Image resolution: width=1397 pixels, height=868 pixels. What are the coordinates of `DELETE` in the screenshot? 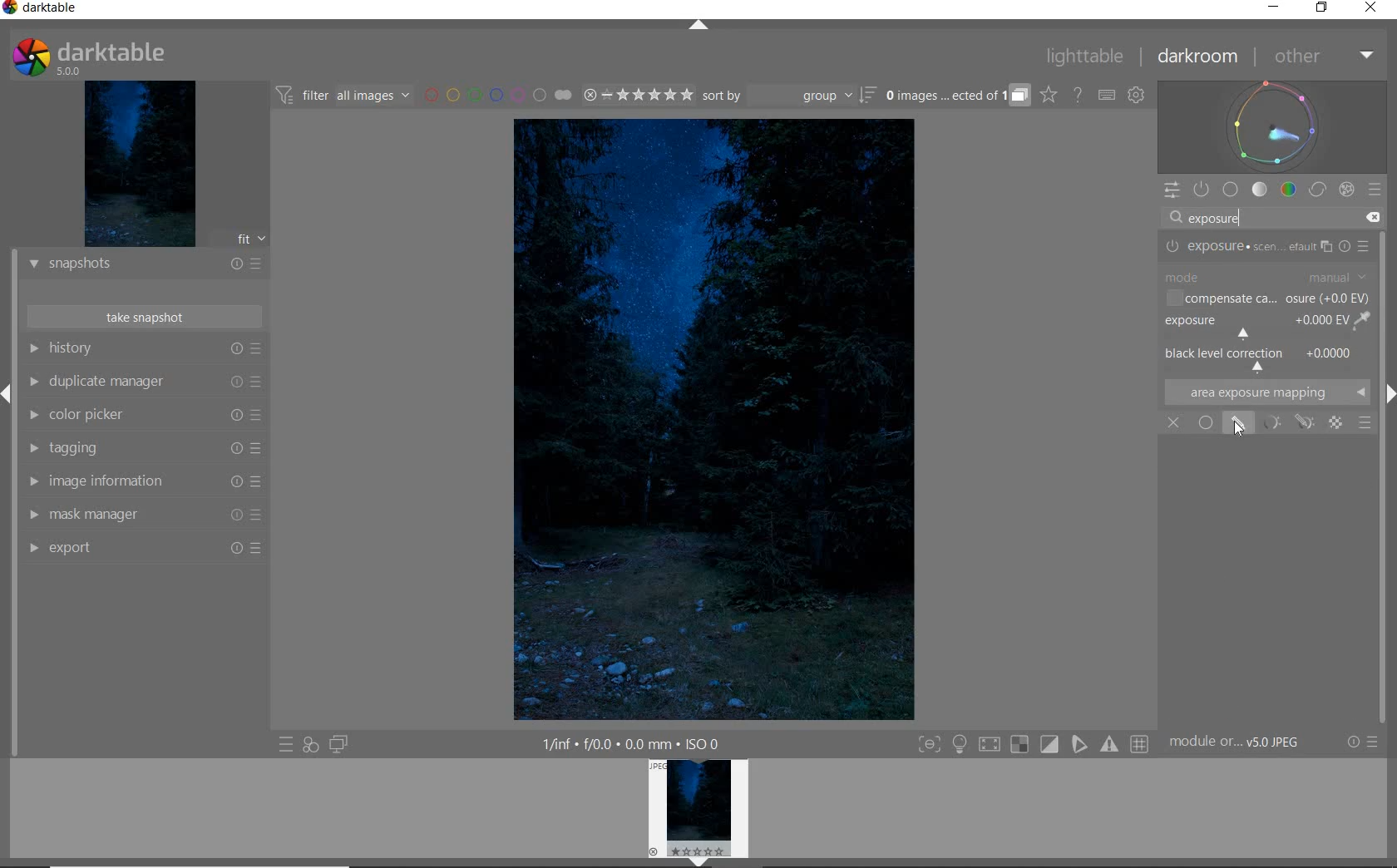 It's located at (1373, 218).